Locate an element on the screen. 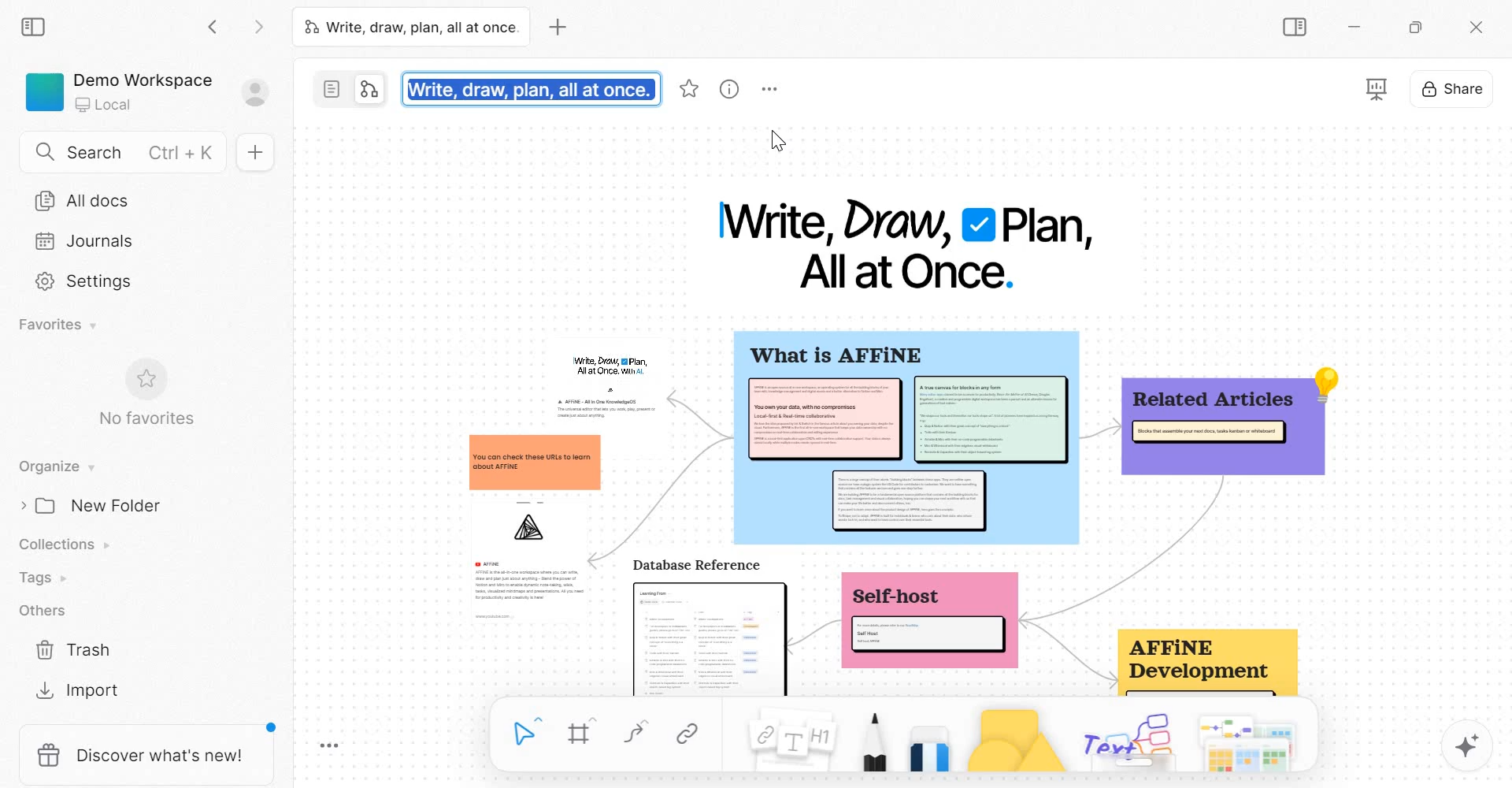  Organise is located at coordinates (54, 466).